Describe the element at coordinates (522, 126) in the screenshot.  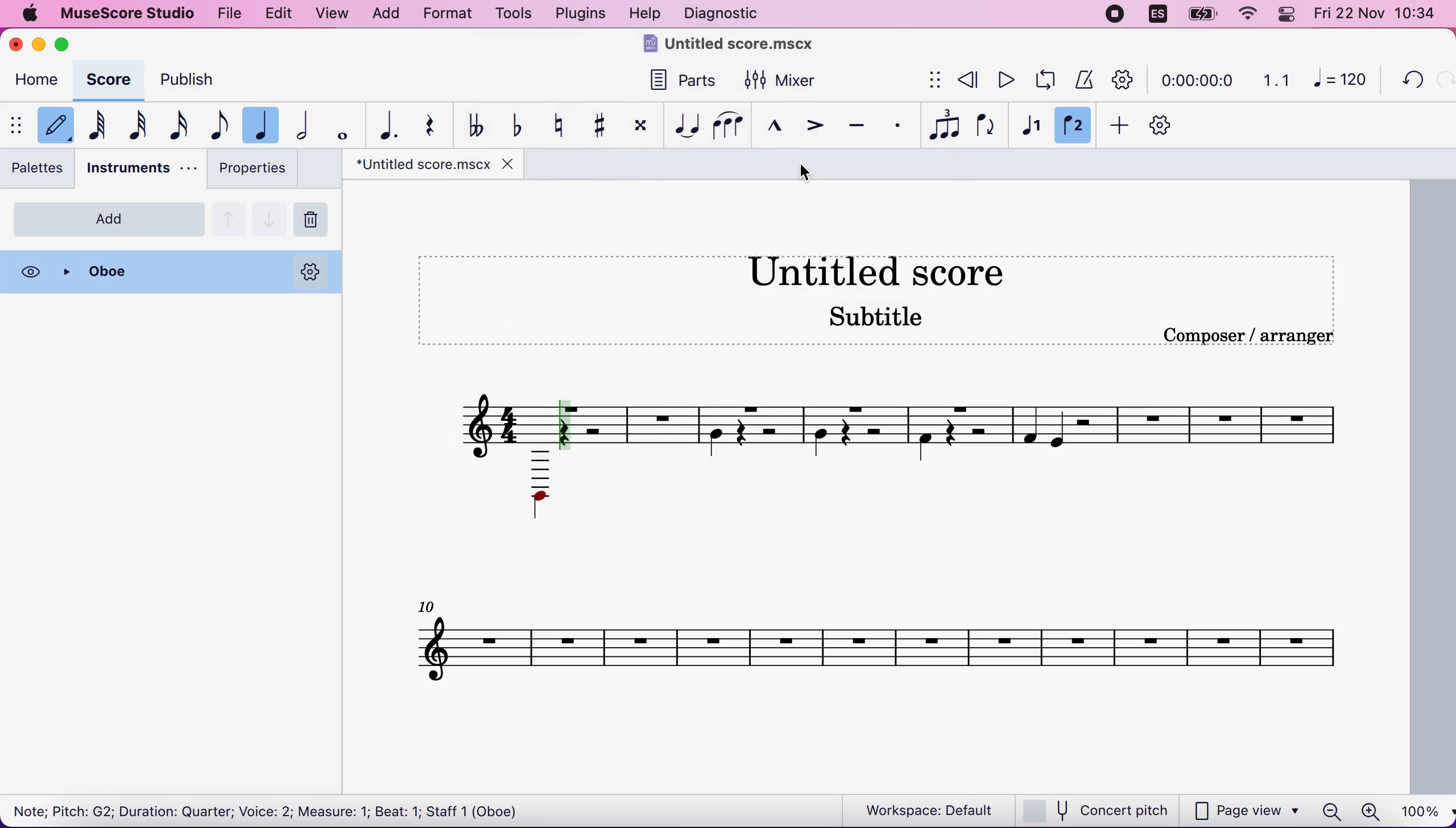
I see `toggle flat` at that location.